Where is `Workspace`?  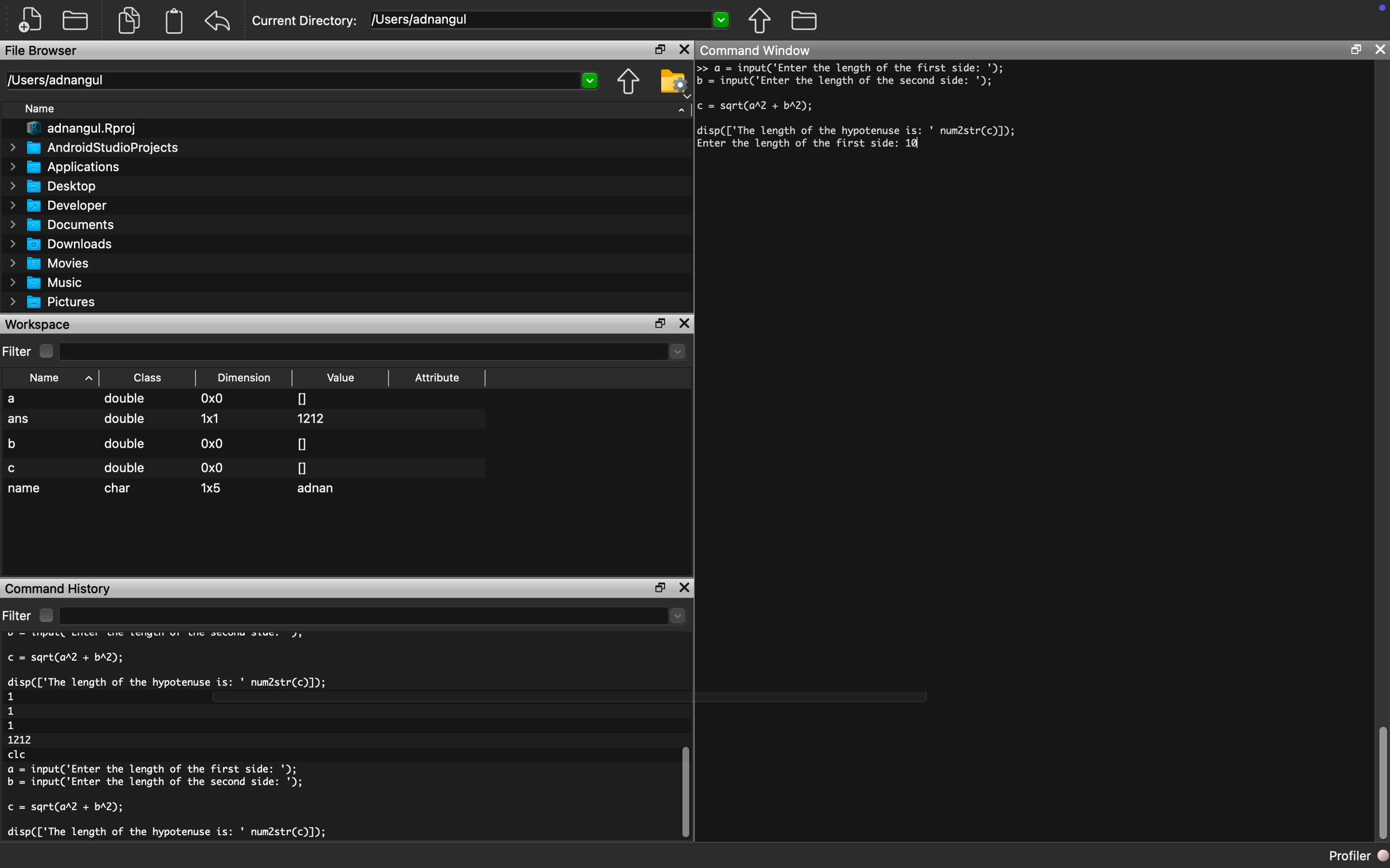 Workspace is located at coordinates (40, 324).